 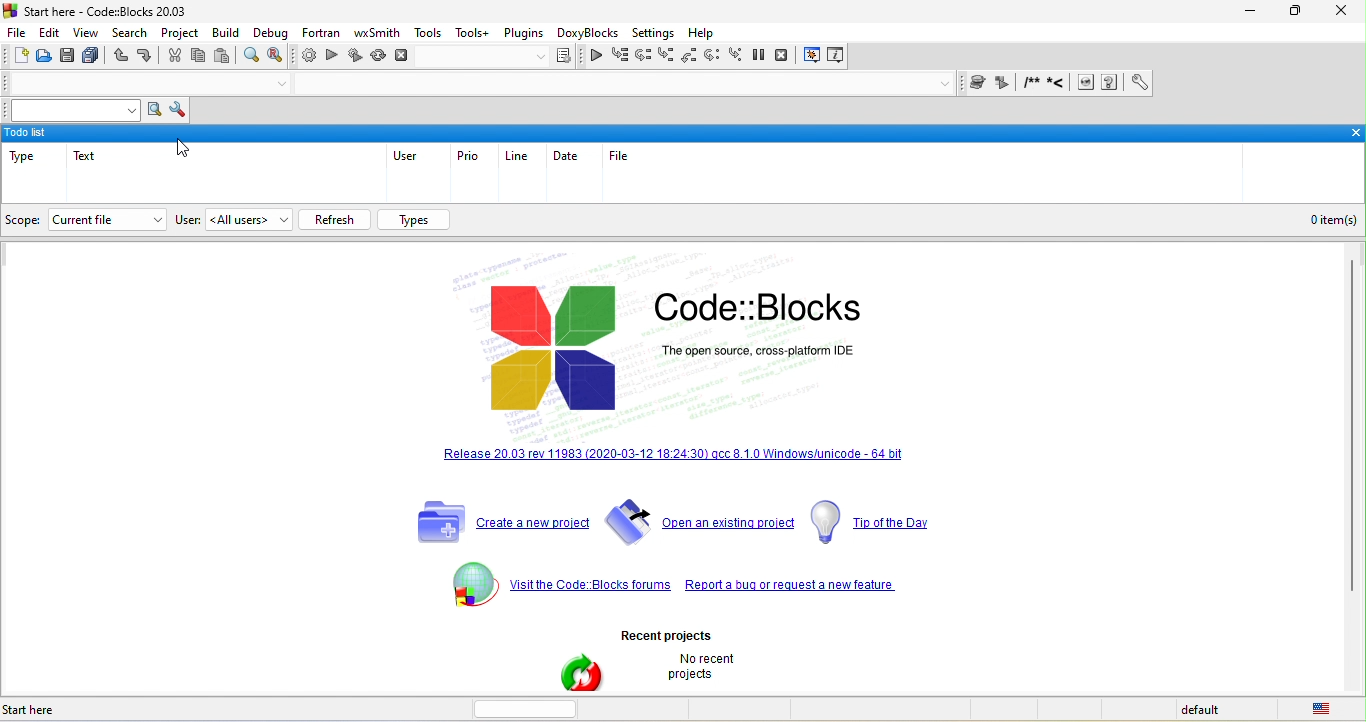 What do you see at coordinates (1351, 425) in the screenshot?
I see `vertical scroll bar` at bounding box center [1351, 425].